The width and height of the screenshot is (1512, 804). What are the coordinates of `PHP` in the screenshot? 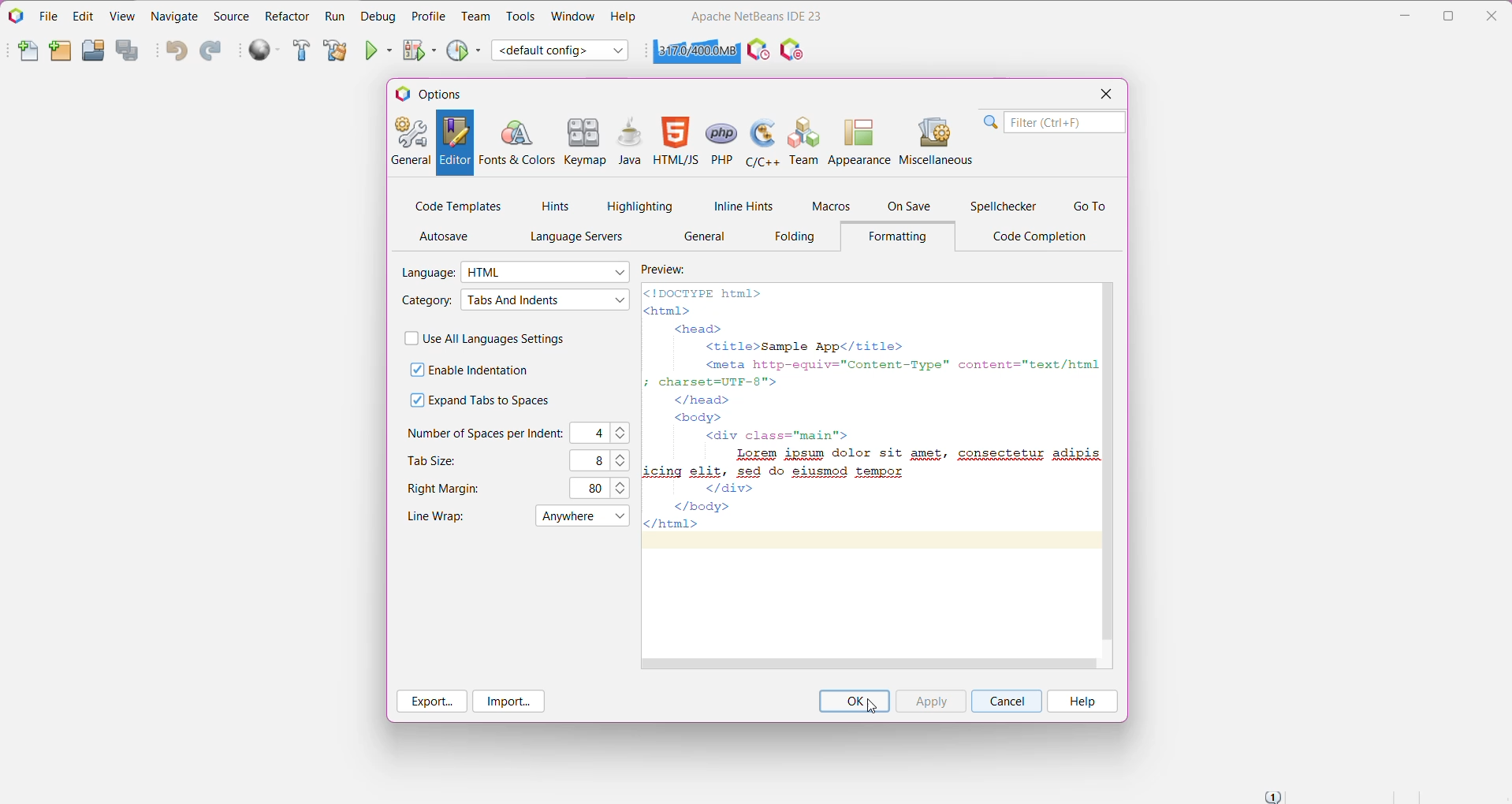 It's located at (721, 142).